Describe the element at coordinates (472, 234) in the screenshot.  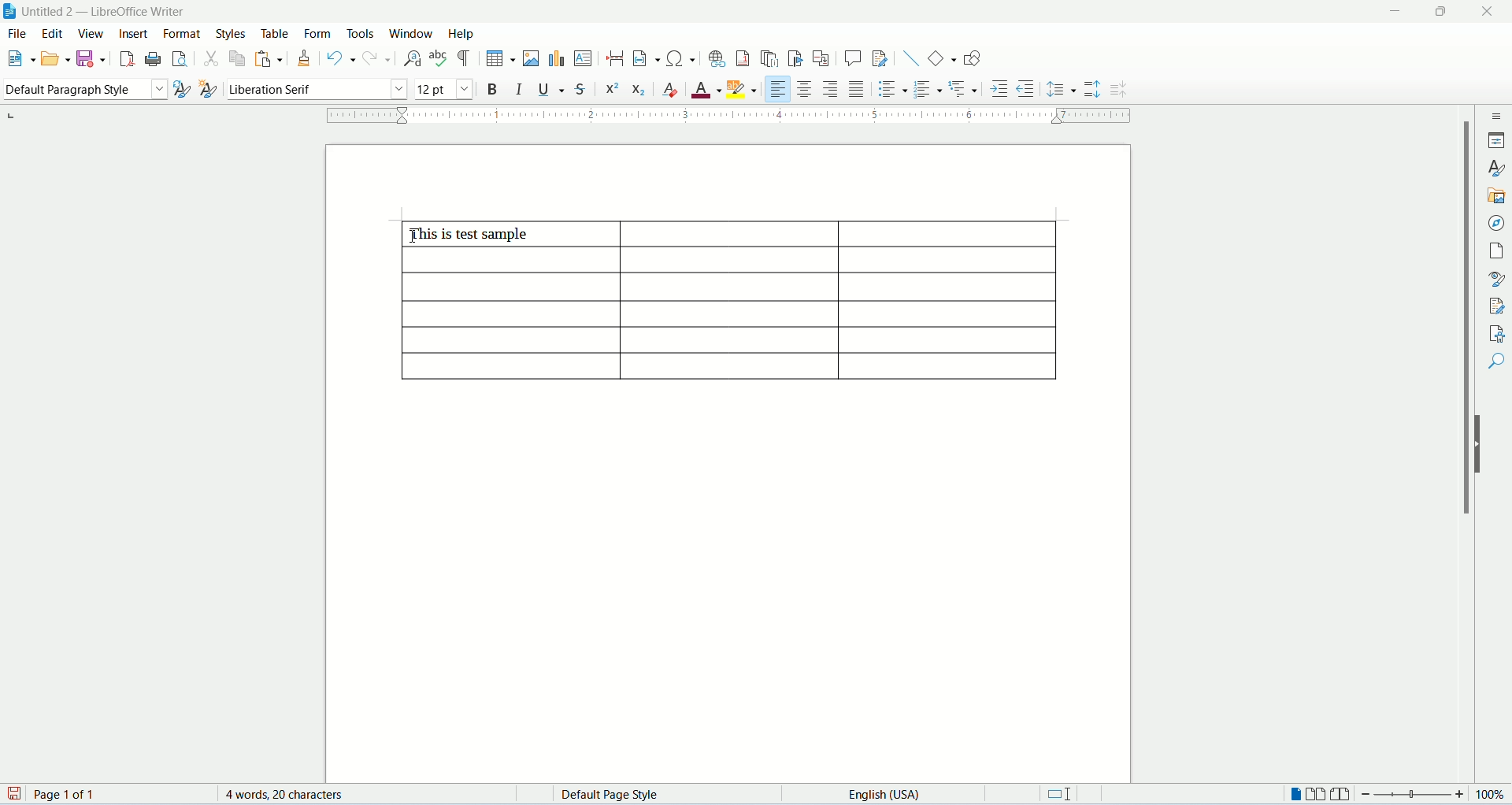
I see `this is test sample` at that location.